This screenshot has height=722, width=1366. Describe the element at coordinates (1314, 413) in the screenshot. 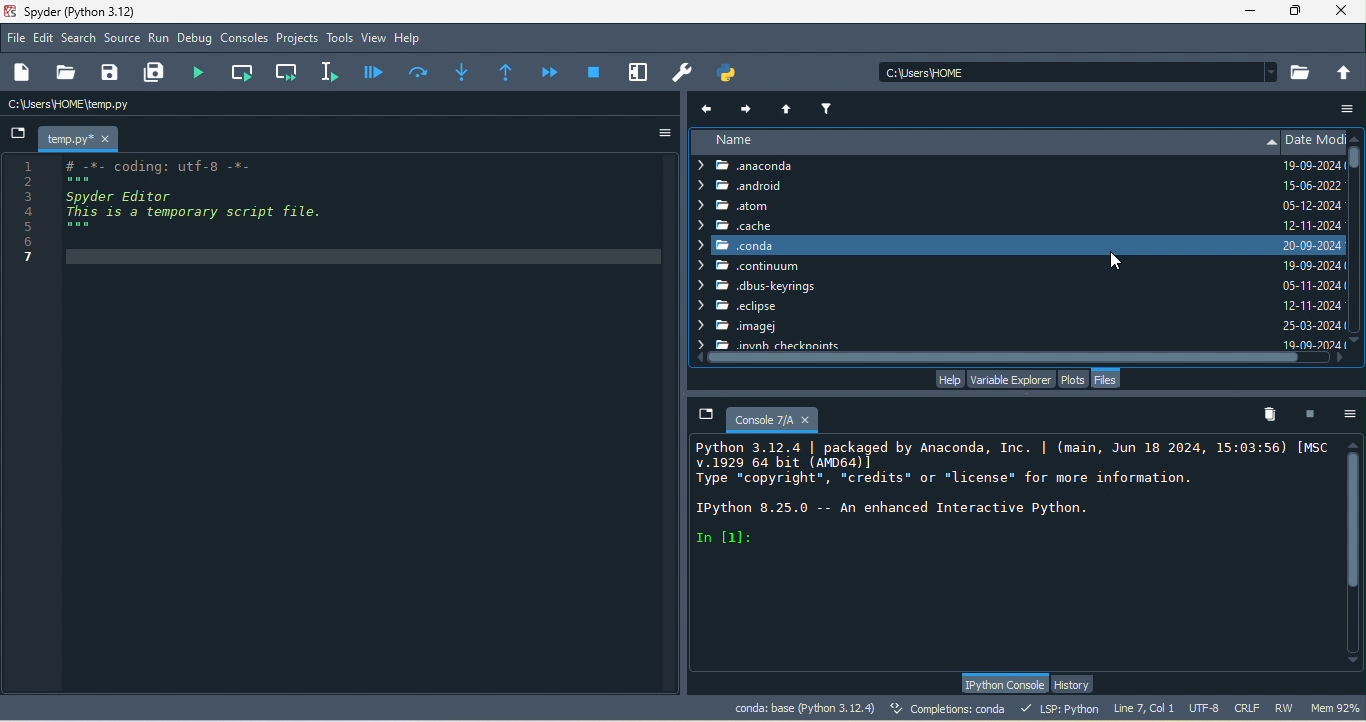

I see `interrupt kenel` at that location.